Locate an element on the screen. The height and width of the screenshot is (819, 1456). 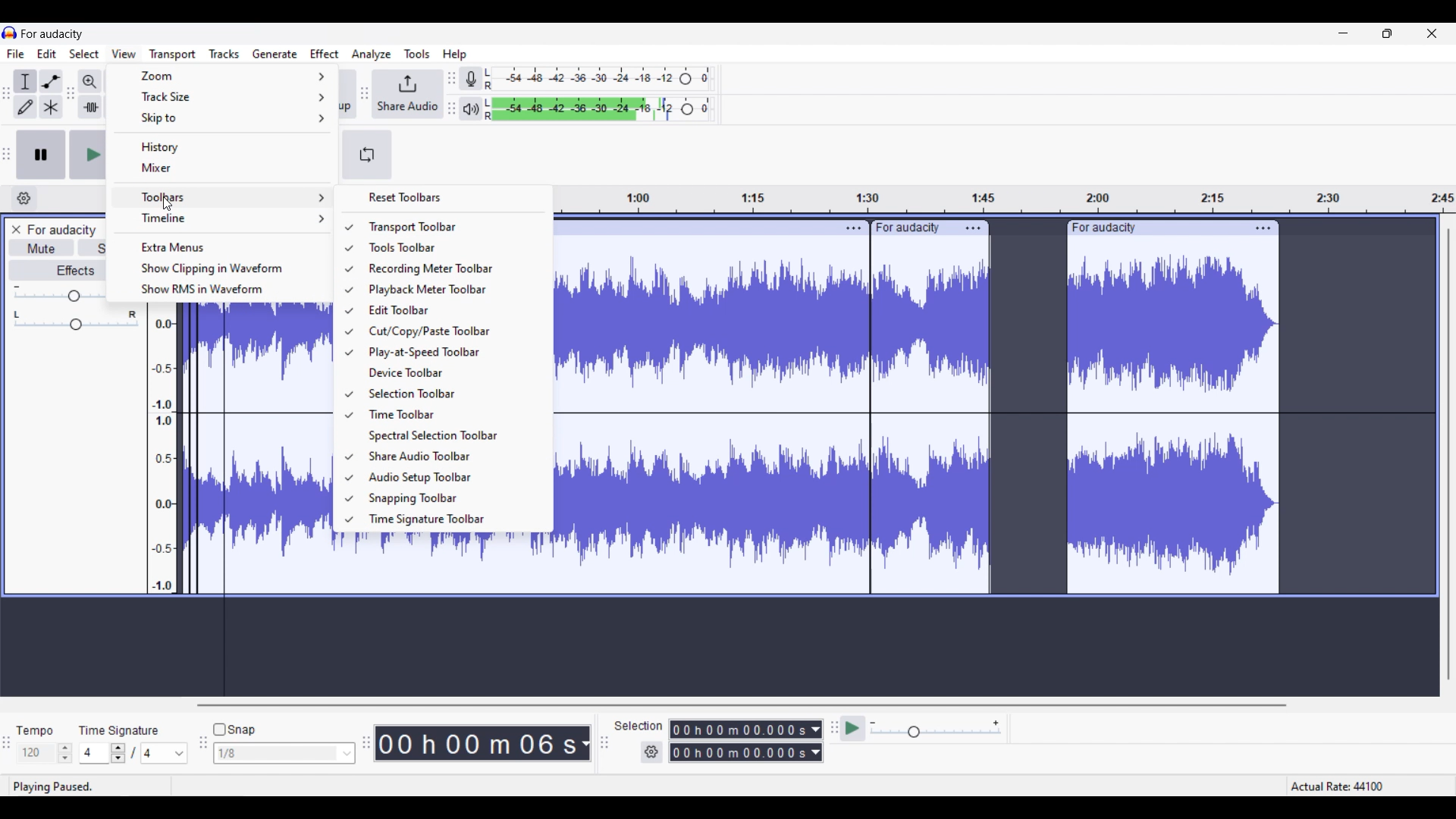
Tempo settings is located at coordinates (45, 753).